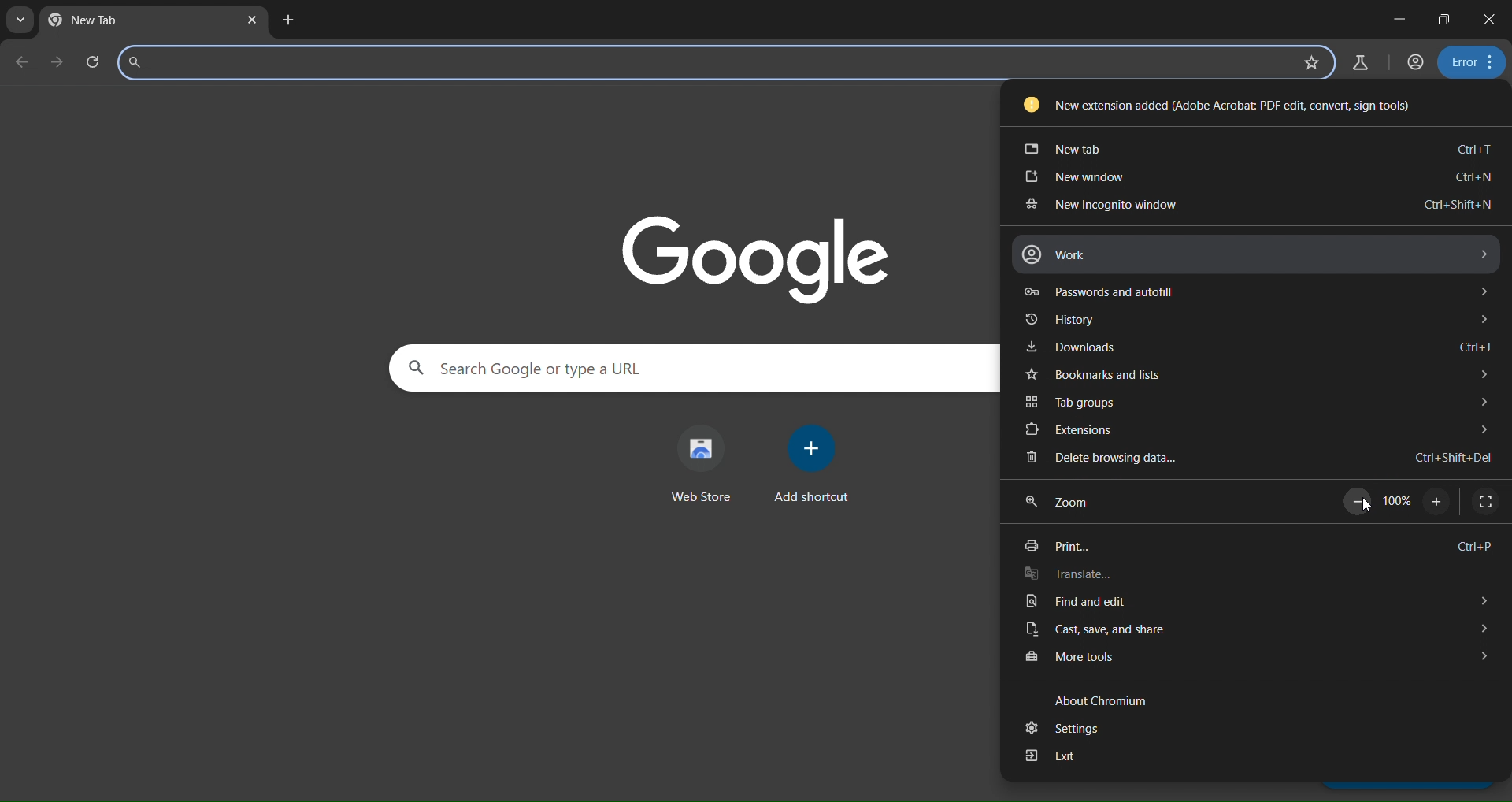 This screenshot has height=802, width=1512. What do you see at coordinates (1492, 21) in the screenshot?
I see `close` at bounding box center [1492, 21].